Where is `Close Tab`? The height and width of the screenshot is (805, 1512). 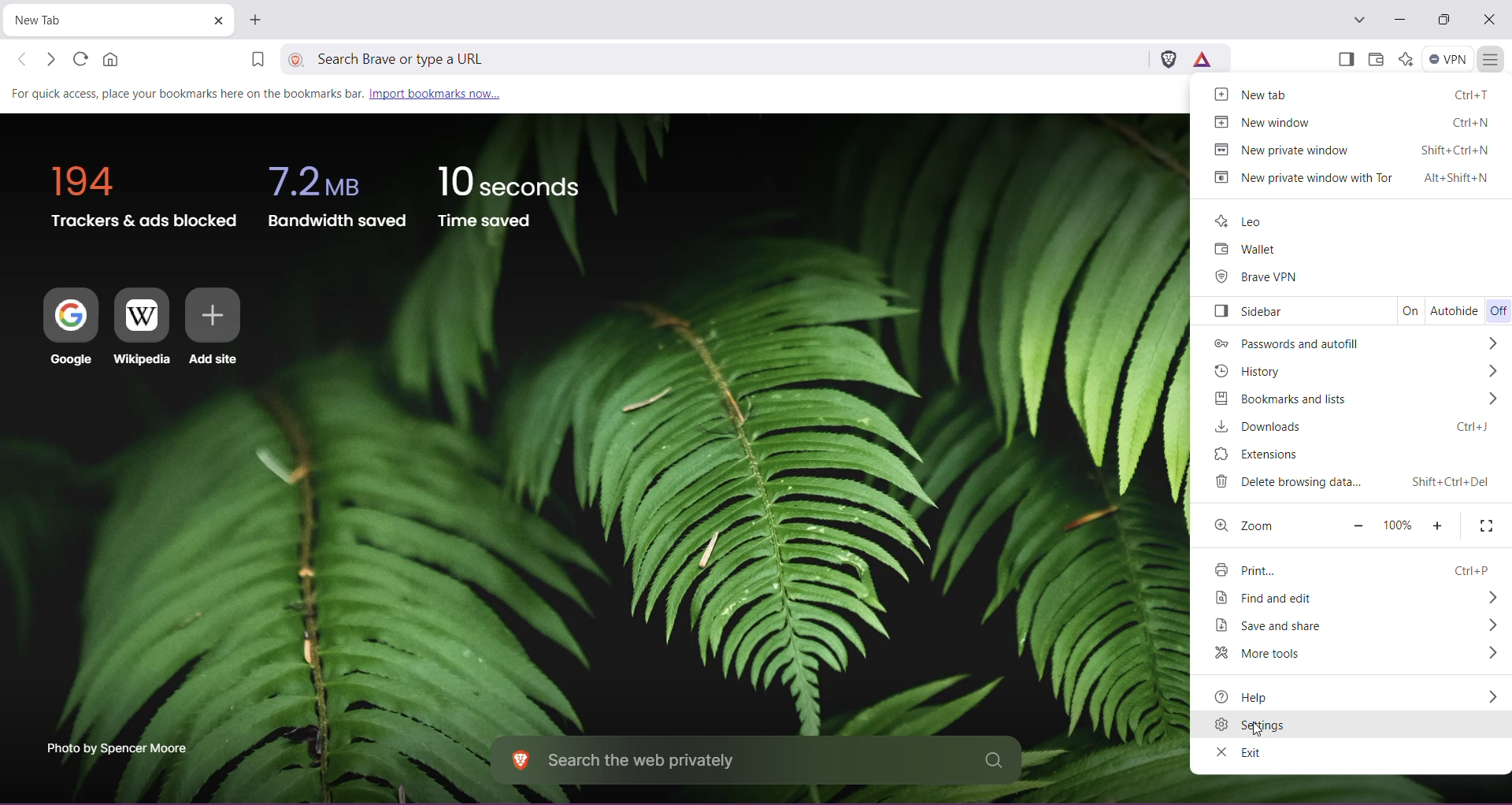 Close Tab is located at coordinates (217, 21).